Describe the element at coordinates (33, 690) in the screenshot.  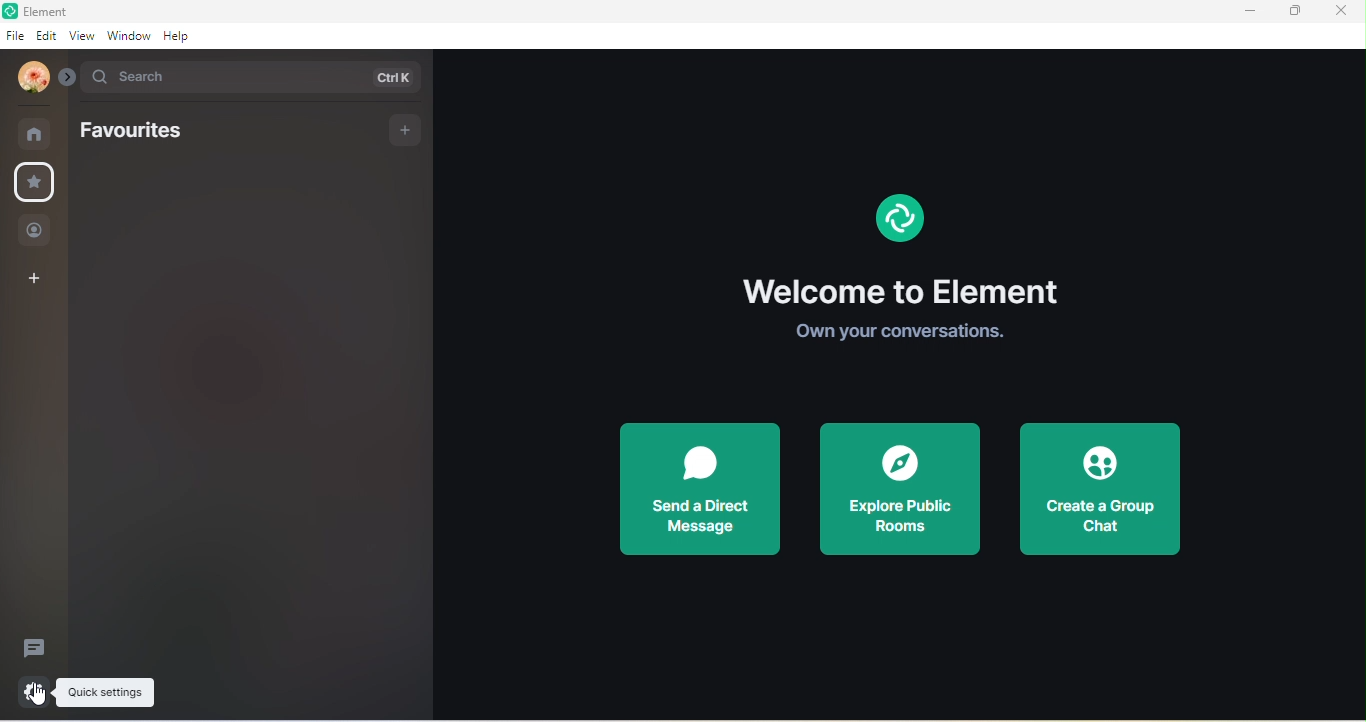
I see `settings` at that location.